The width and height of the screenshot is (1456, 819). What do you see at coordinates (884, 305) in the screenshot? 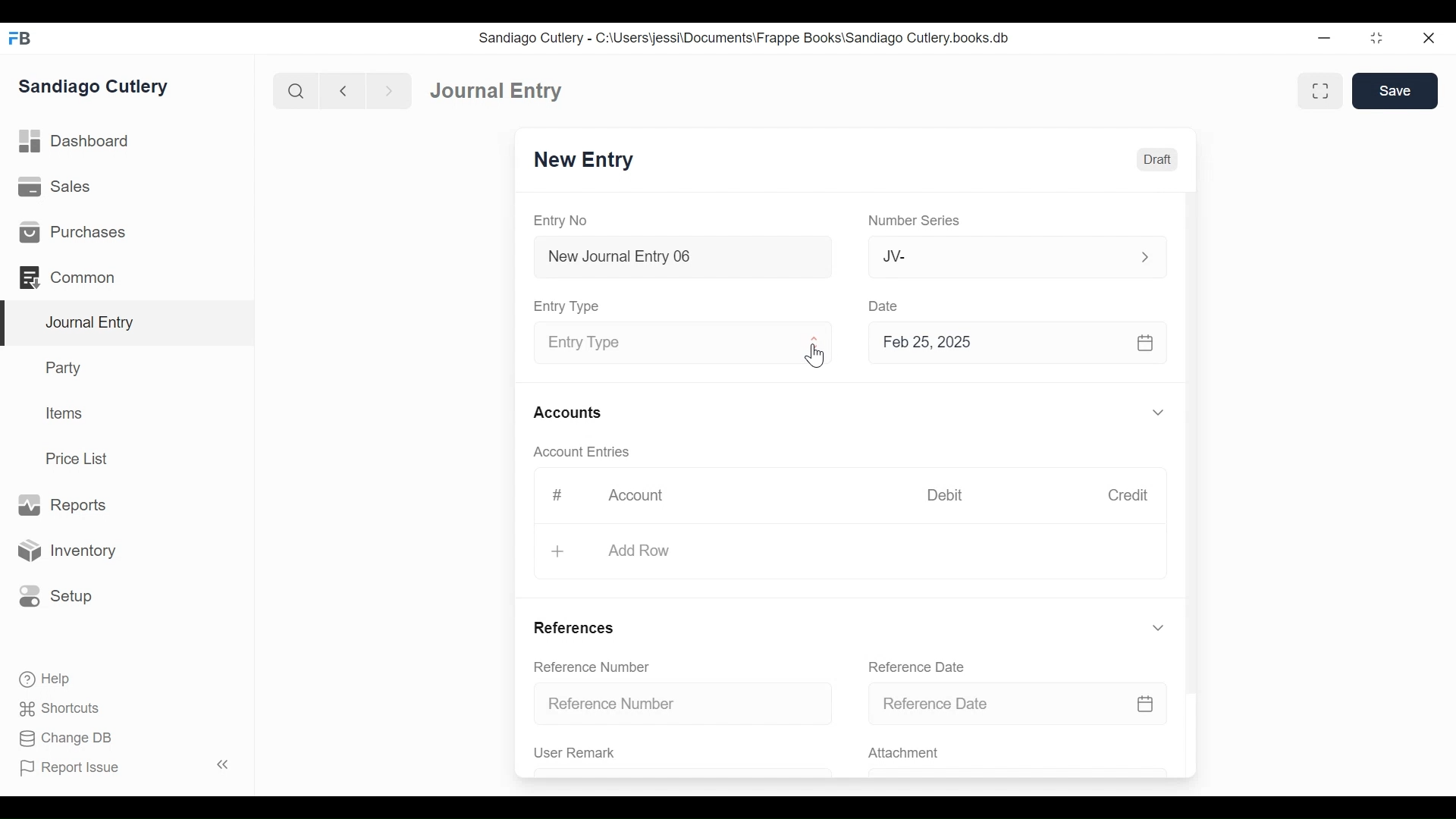
I see `Date` at bounding box center [884, 305].